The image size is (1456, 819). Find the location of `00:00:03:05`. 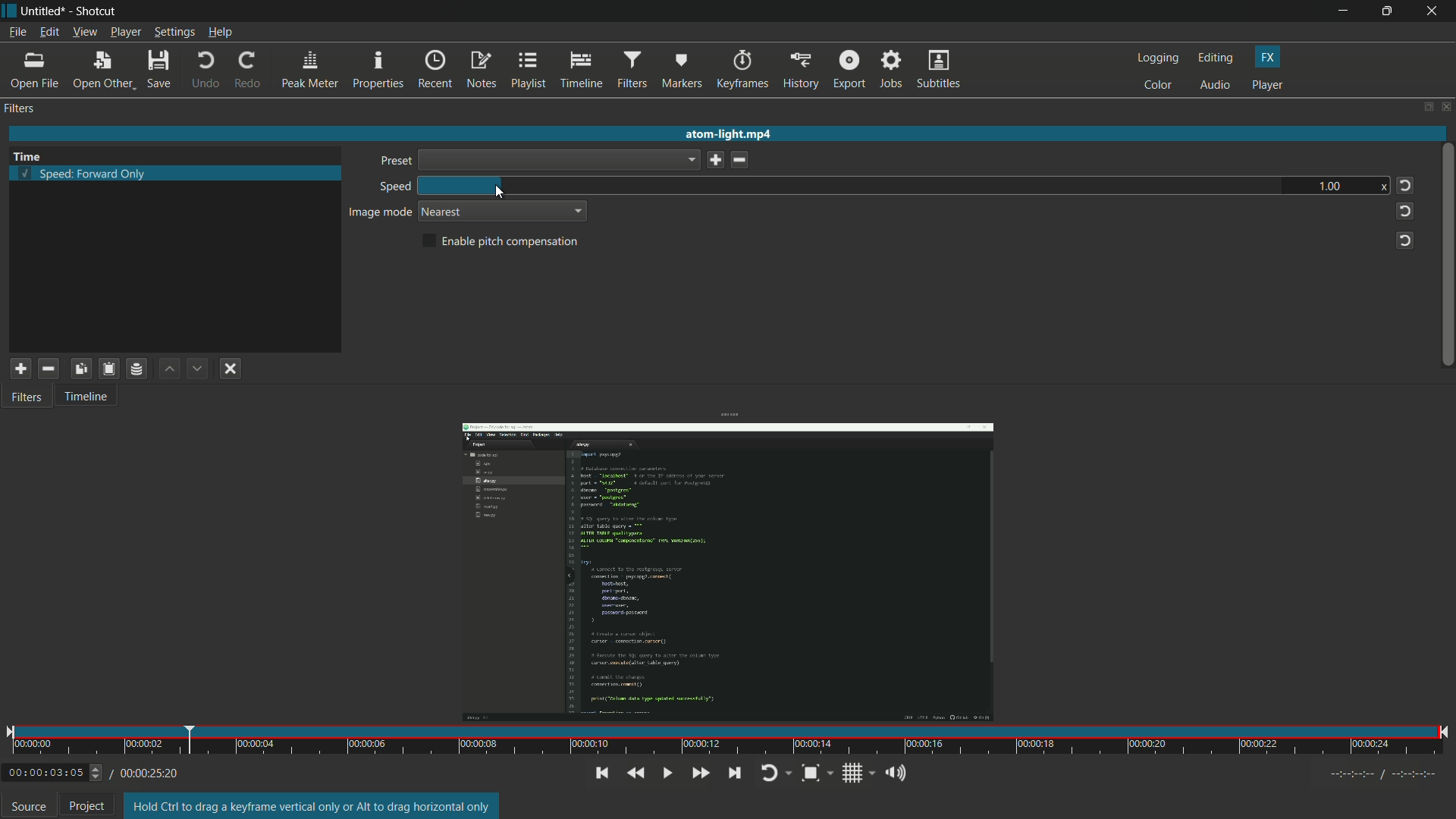

00:00:03:05 is located at coordinates (54, 771).